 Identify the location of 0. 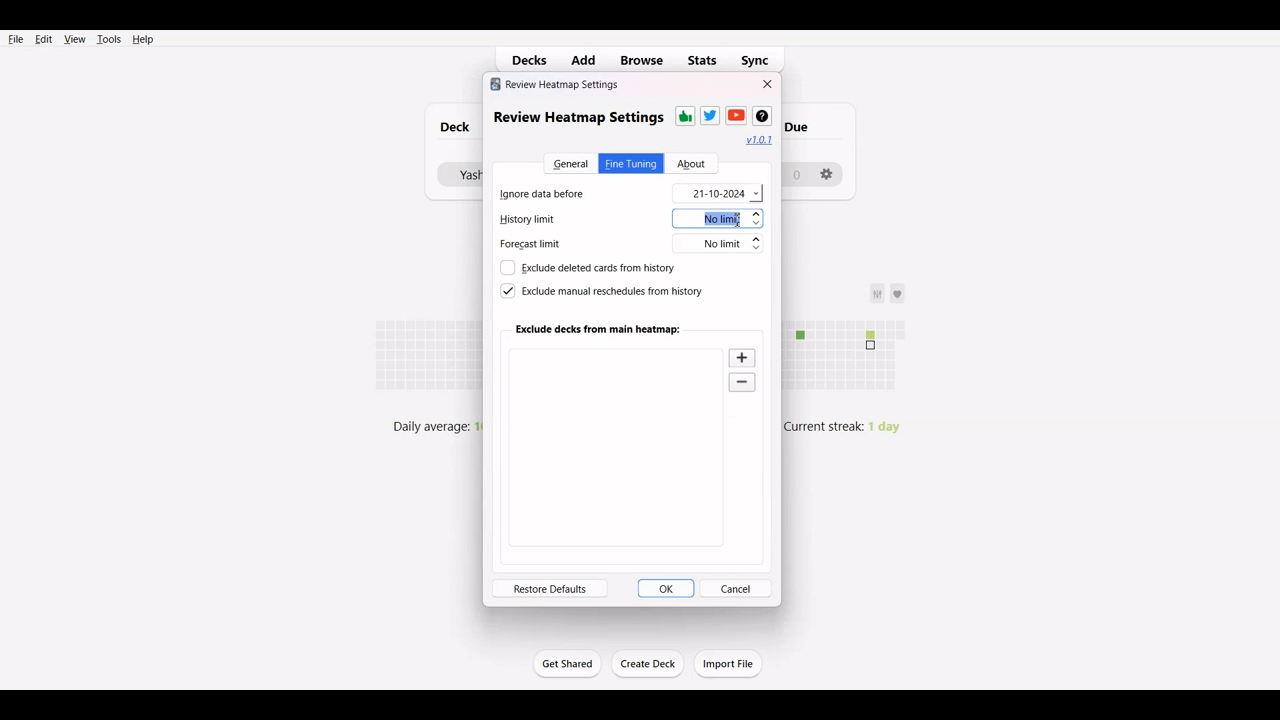
(795, 173).